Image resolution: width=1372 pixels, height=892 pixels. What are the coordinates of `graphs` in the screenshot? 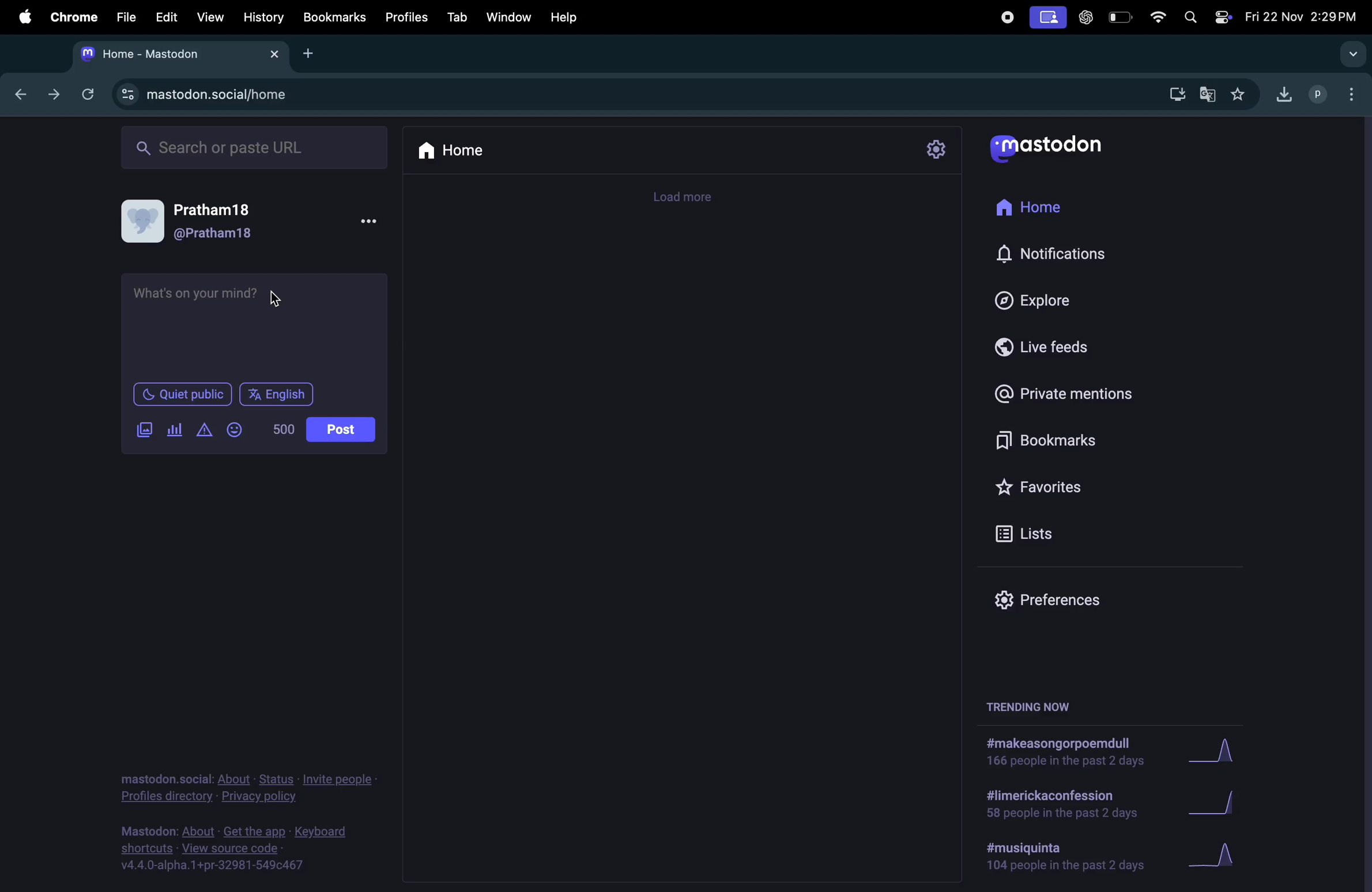 It's located at (1223, 802).